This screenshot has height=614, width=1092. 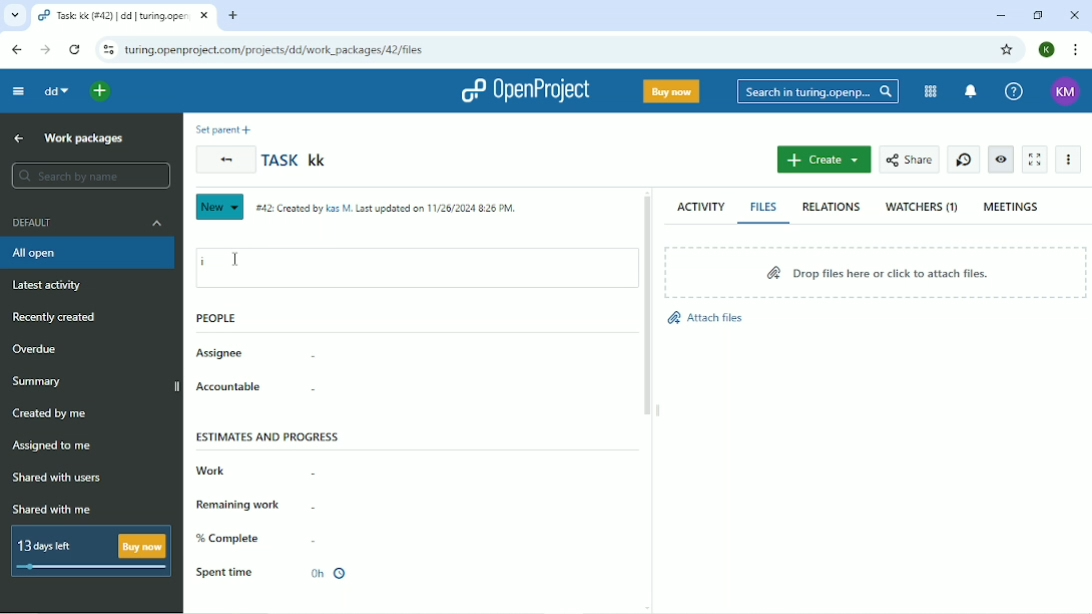 I want to click on Latest activity, so click(x=51, y=286).